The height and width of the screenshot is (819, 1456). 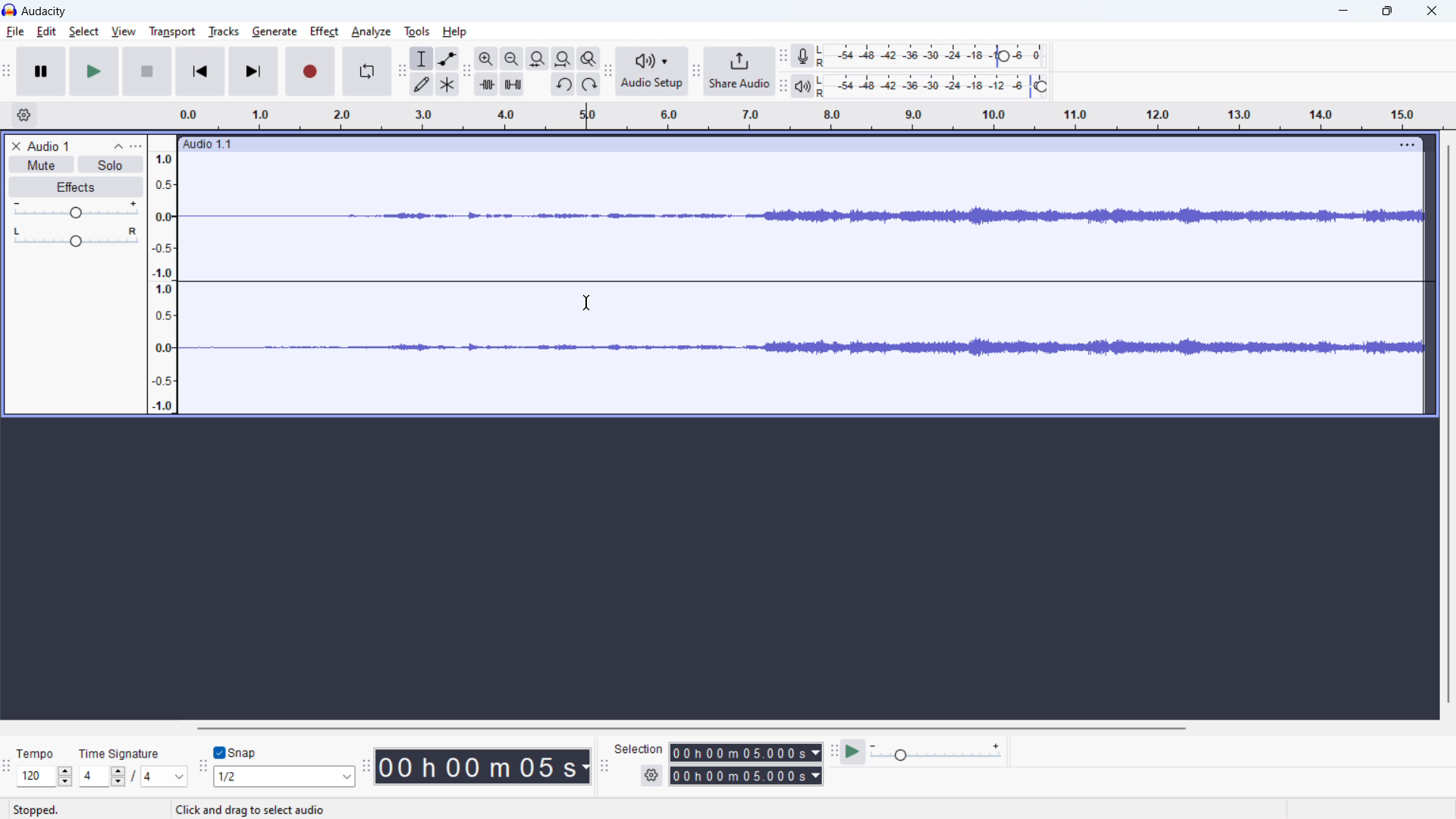 I want to click on Waveform, so click(x=802, y=344).